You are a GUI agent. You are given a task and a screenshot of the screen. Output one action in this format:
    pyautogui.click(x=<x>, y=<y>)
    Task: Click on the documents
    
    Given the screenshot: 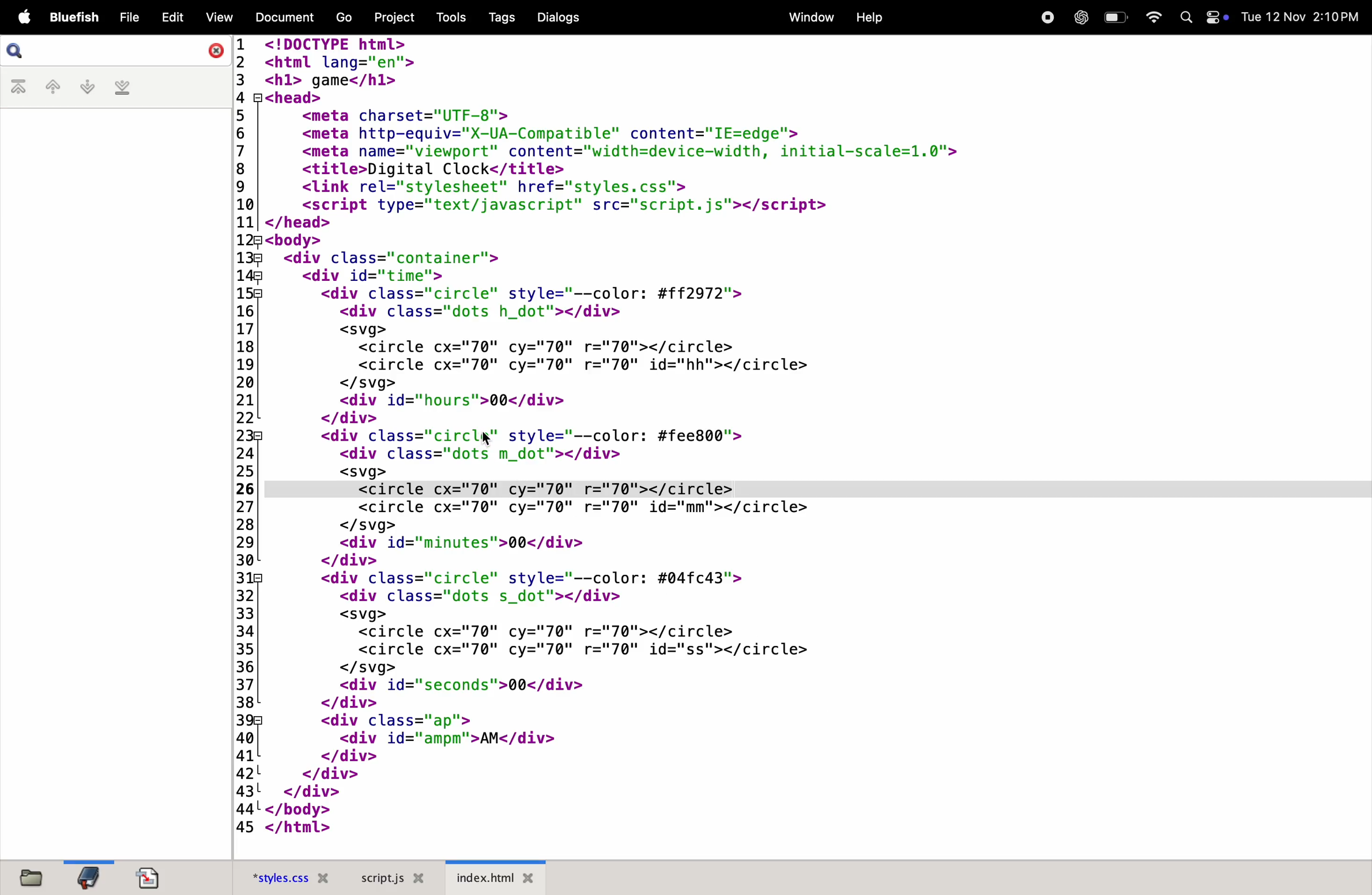 What is the action you would take?
    pyautogui.click(x=147, y=877)
    